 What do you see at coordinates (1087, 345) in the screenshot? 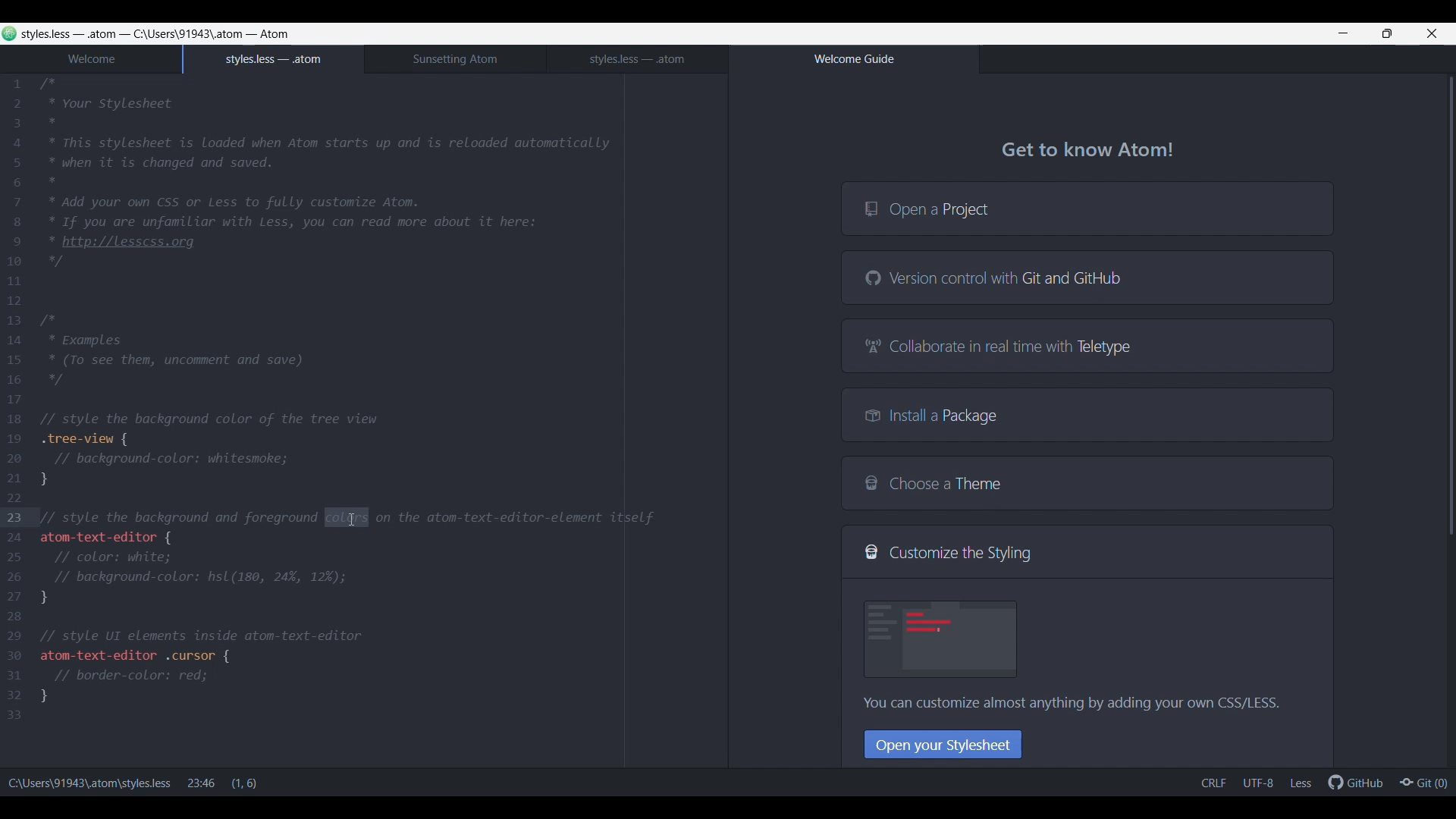
I see `Collaborate in real time with Teletype` at bounding box center [1087, 345].